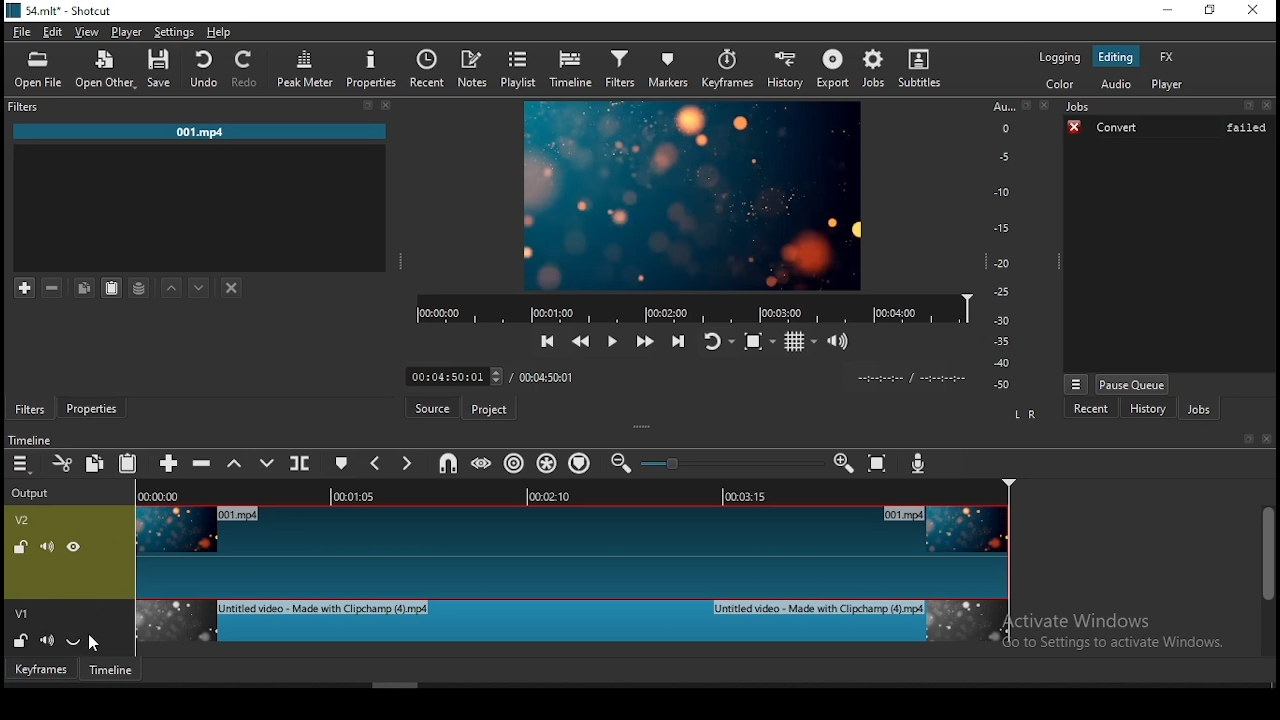  What do you see at coordinates (758, 343) in the screenshot?
I see `toggle zoo` at bounding box center [758, 343].